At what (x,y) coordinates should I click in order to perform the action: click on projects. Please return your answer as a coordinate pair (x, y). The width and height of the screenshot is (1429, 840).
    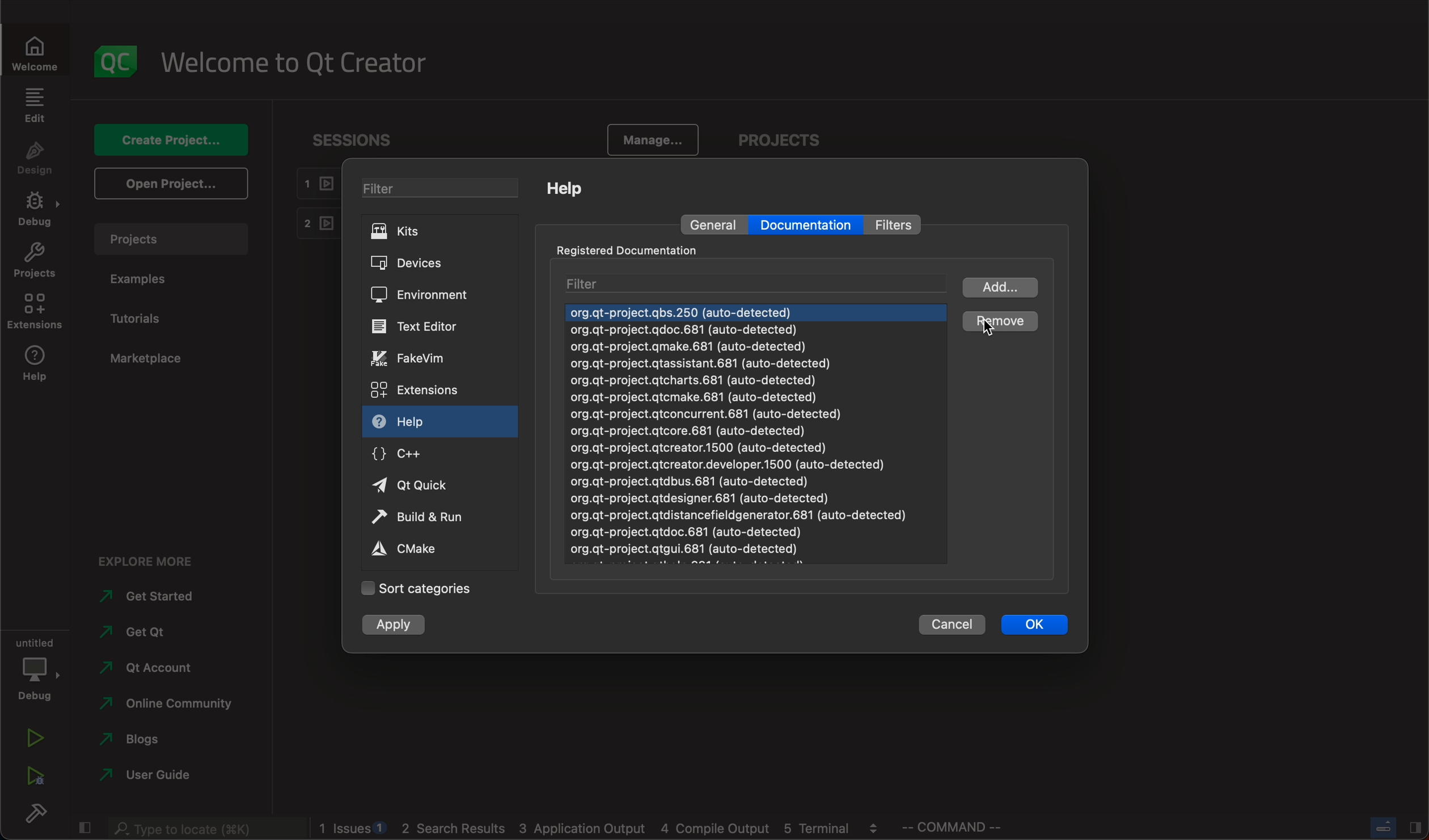
    Looking at the image, I should click on (171, 242).